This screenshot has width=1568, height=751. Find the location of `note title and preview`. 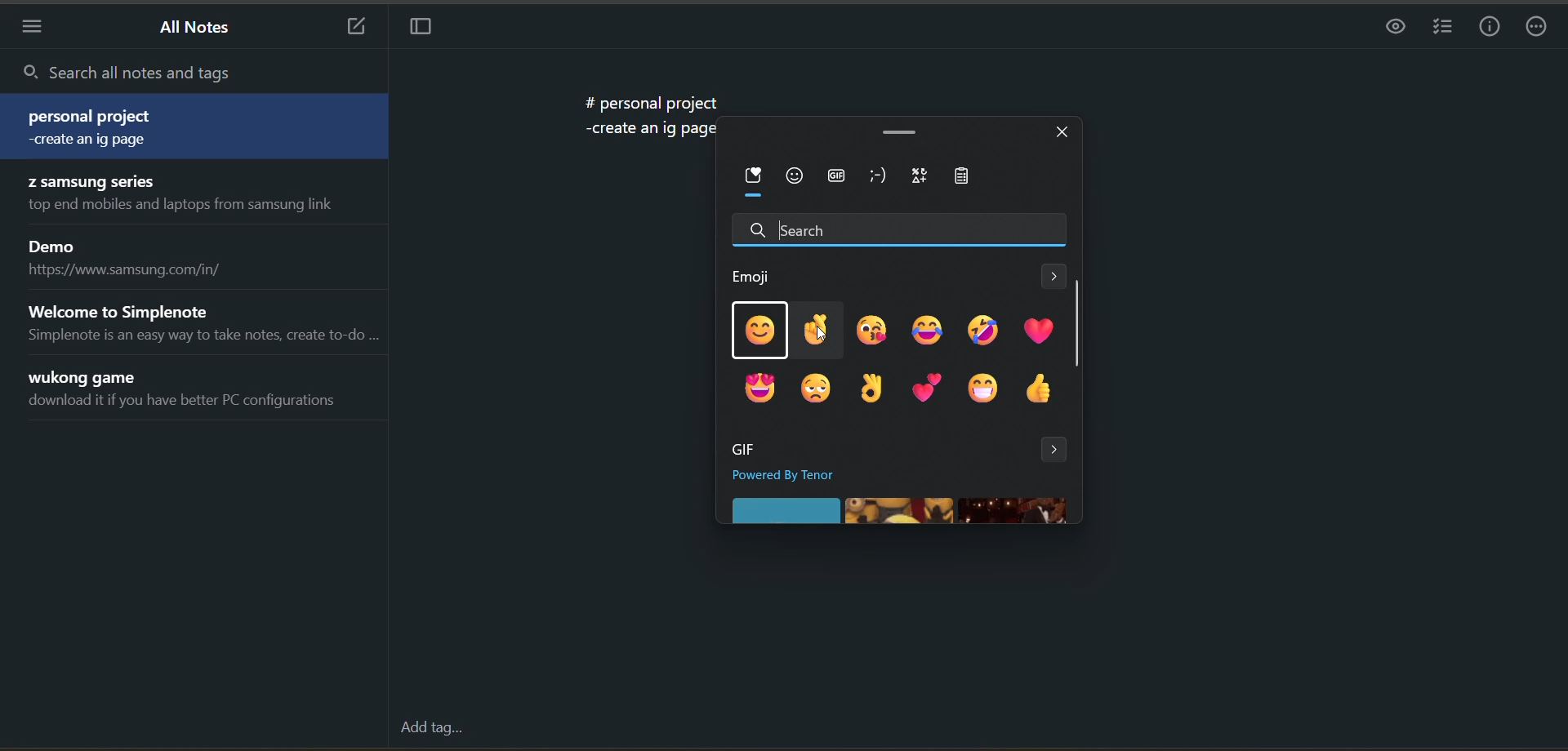

note title and preview is located at coordinates (189, 125).